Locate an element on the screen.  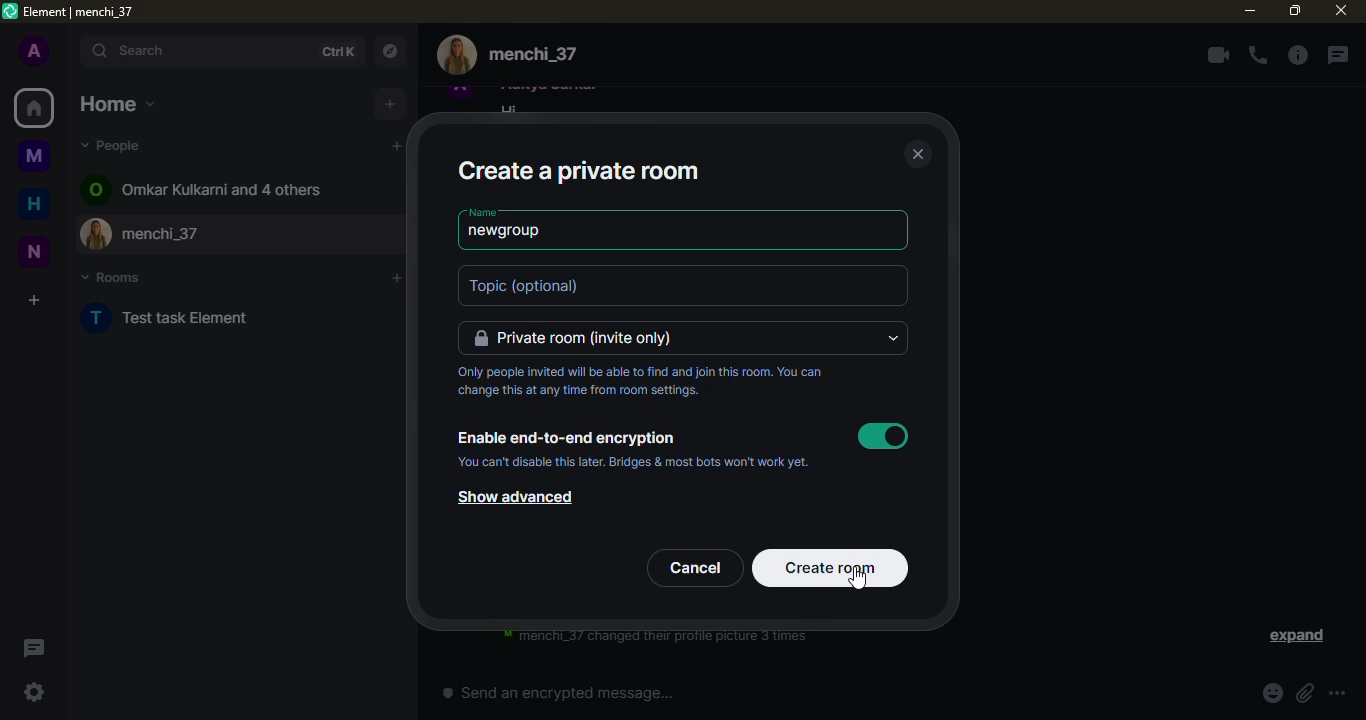
Send an encrypted message... is located at coordinates (558, 692).